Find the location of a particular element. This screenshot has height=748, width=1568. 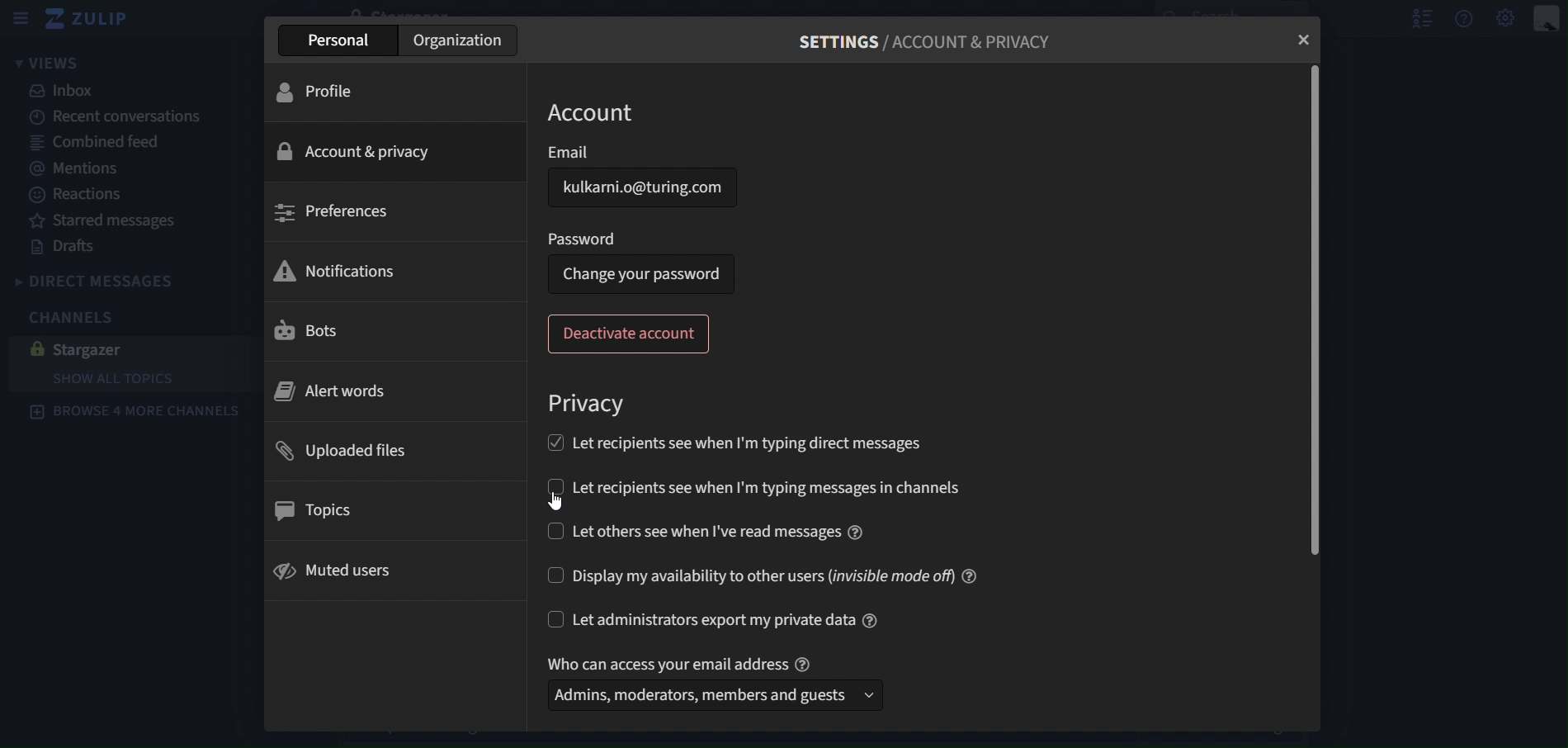

combined feed is located at coordinates (98, 142).